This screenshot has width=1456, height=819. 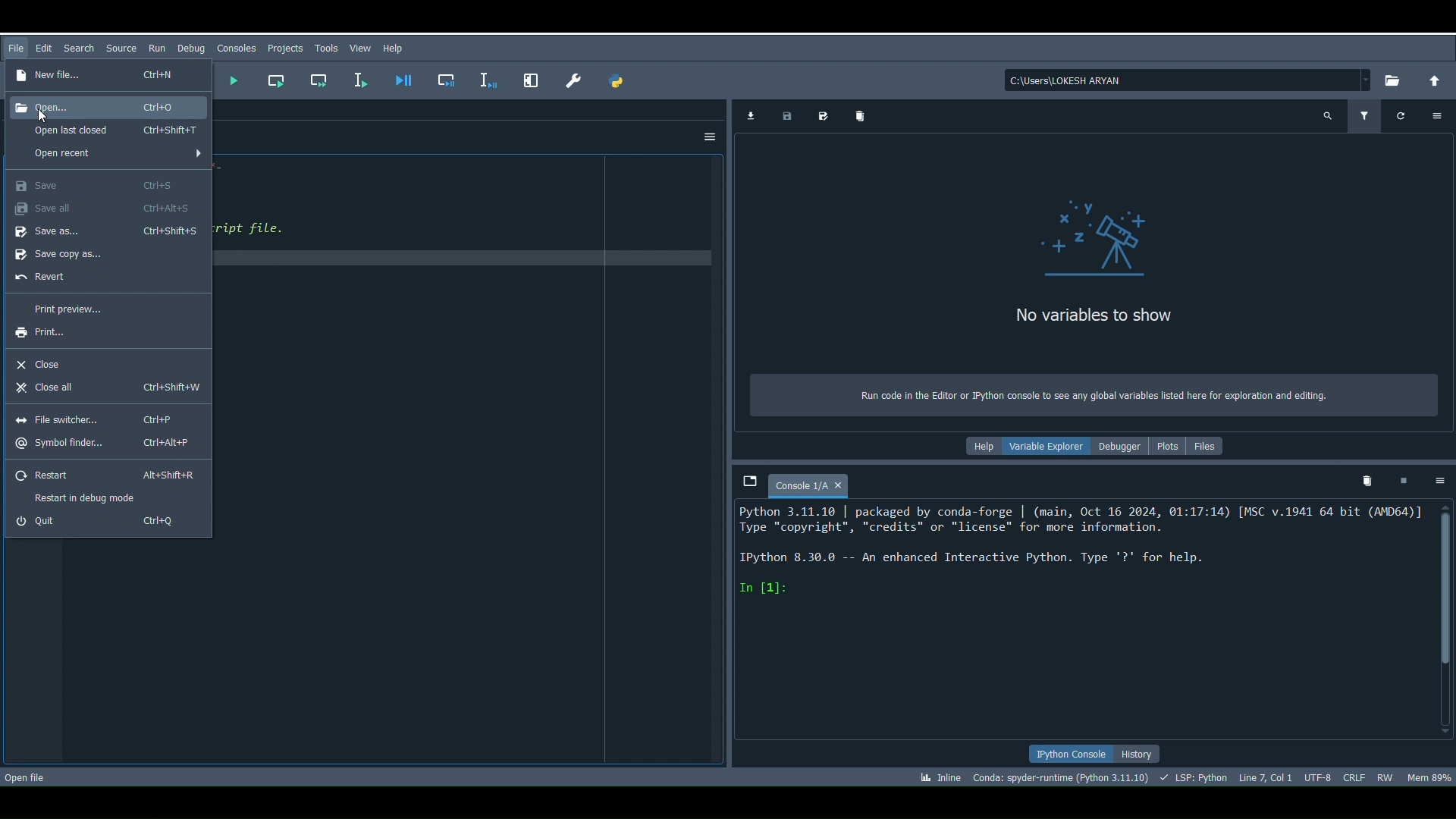 I want to click on Debug cell, so click(x=449, y=79).